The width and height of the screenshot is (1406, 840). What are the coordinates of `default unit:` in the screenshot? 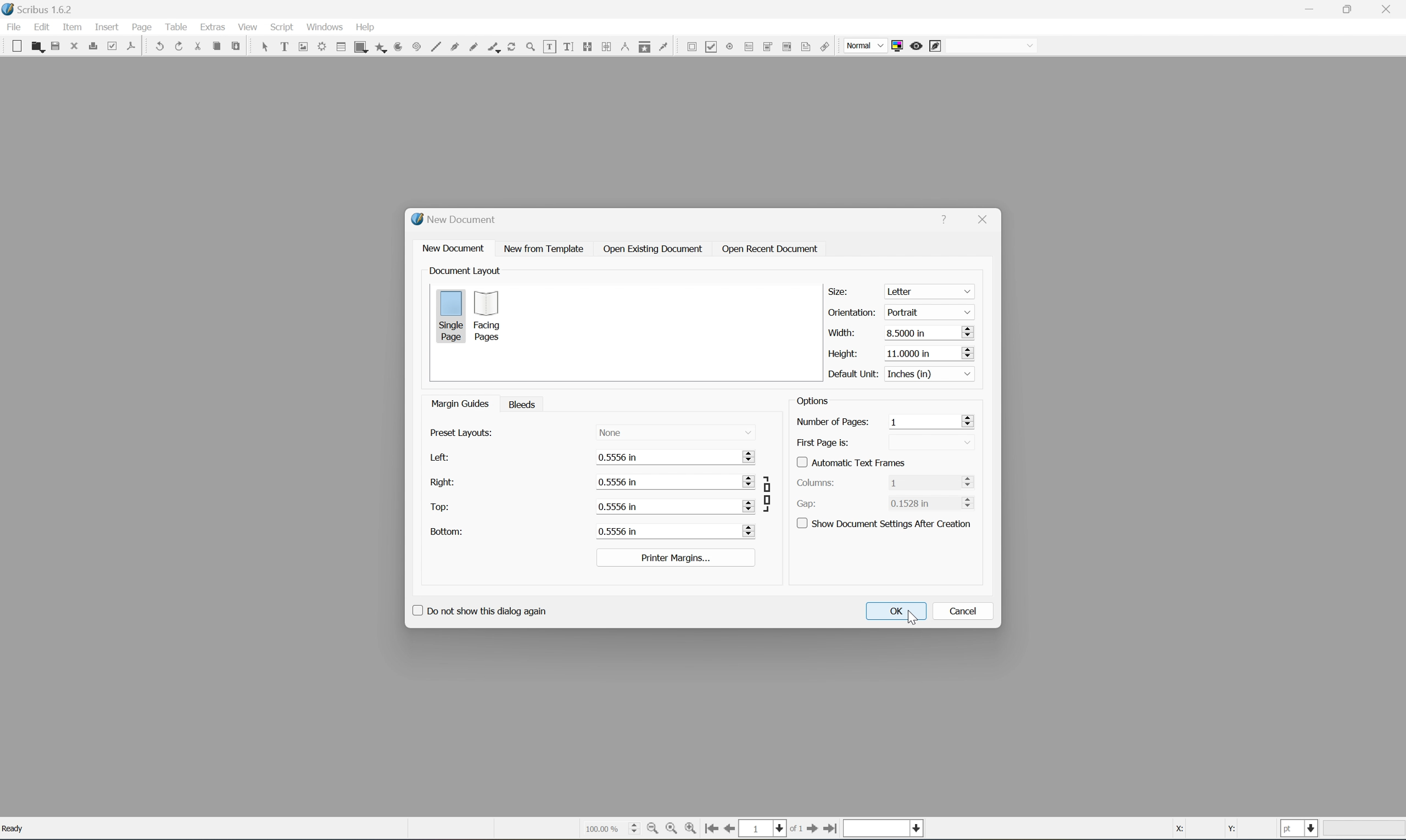 It's located at (853, 373).